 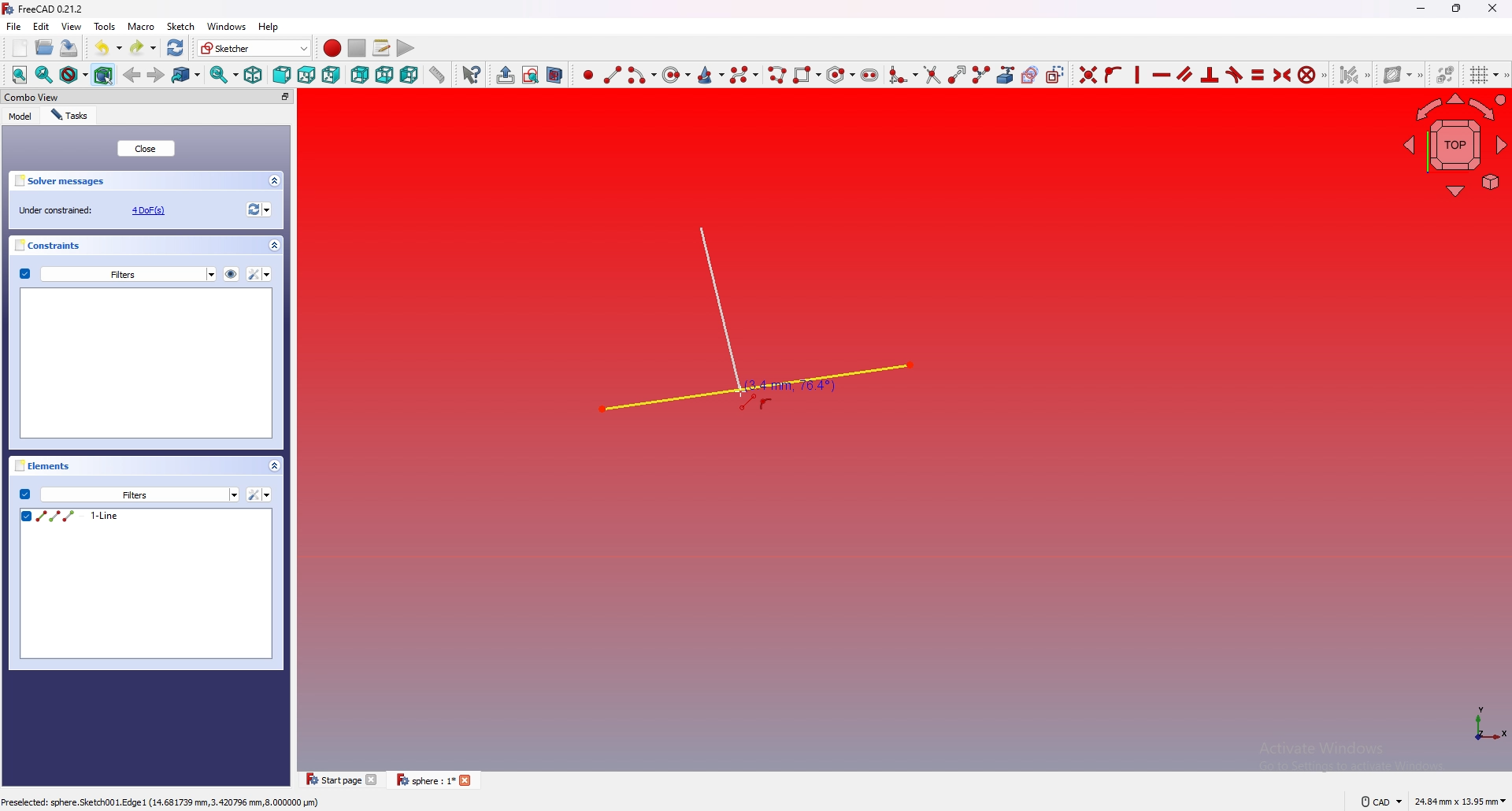 What do you see at coordinates (1483, 724) in the screenshot?
I see `Axis` at bounding box center [1483, 724].